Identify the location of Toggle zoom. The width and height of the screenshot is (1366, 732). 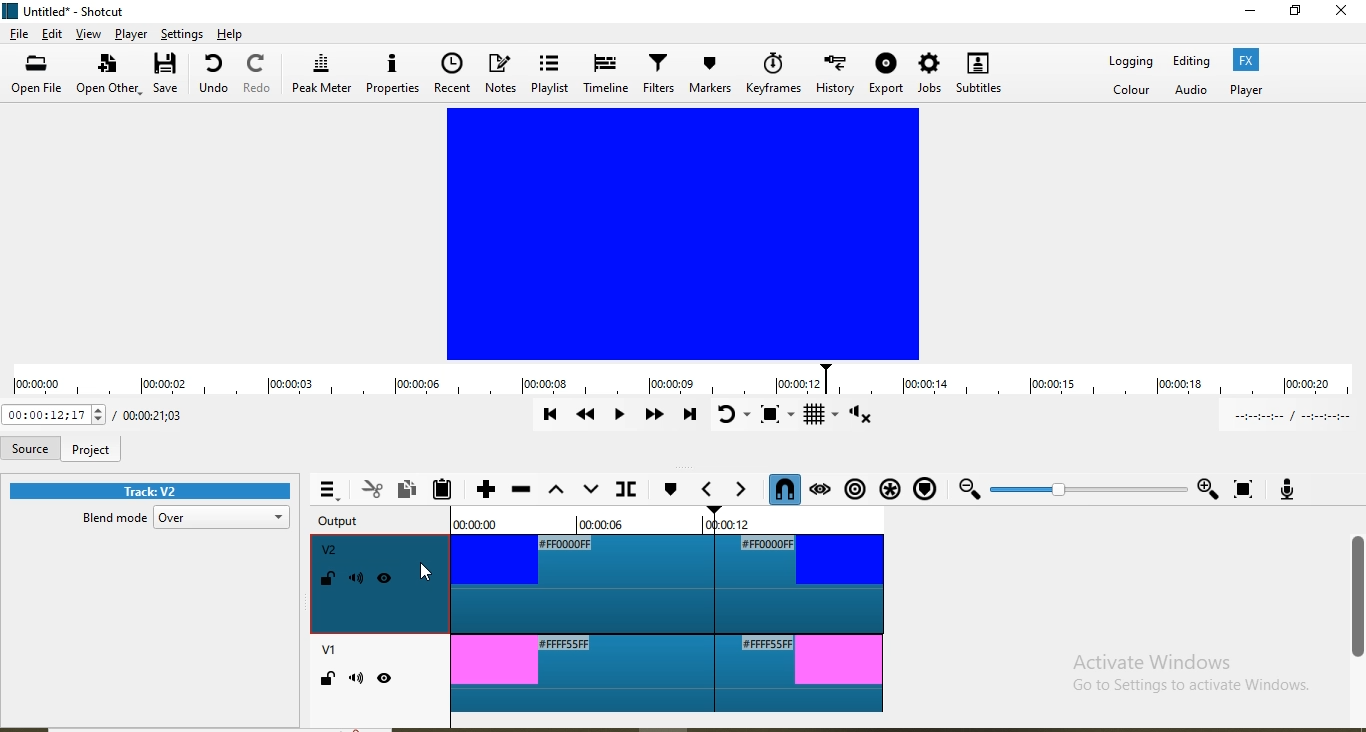
(776, 418).